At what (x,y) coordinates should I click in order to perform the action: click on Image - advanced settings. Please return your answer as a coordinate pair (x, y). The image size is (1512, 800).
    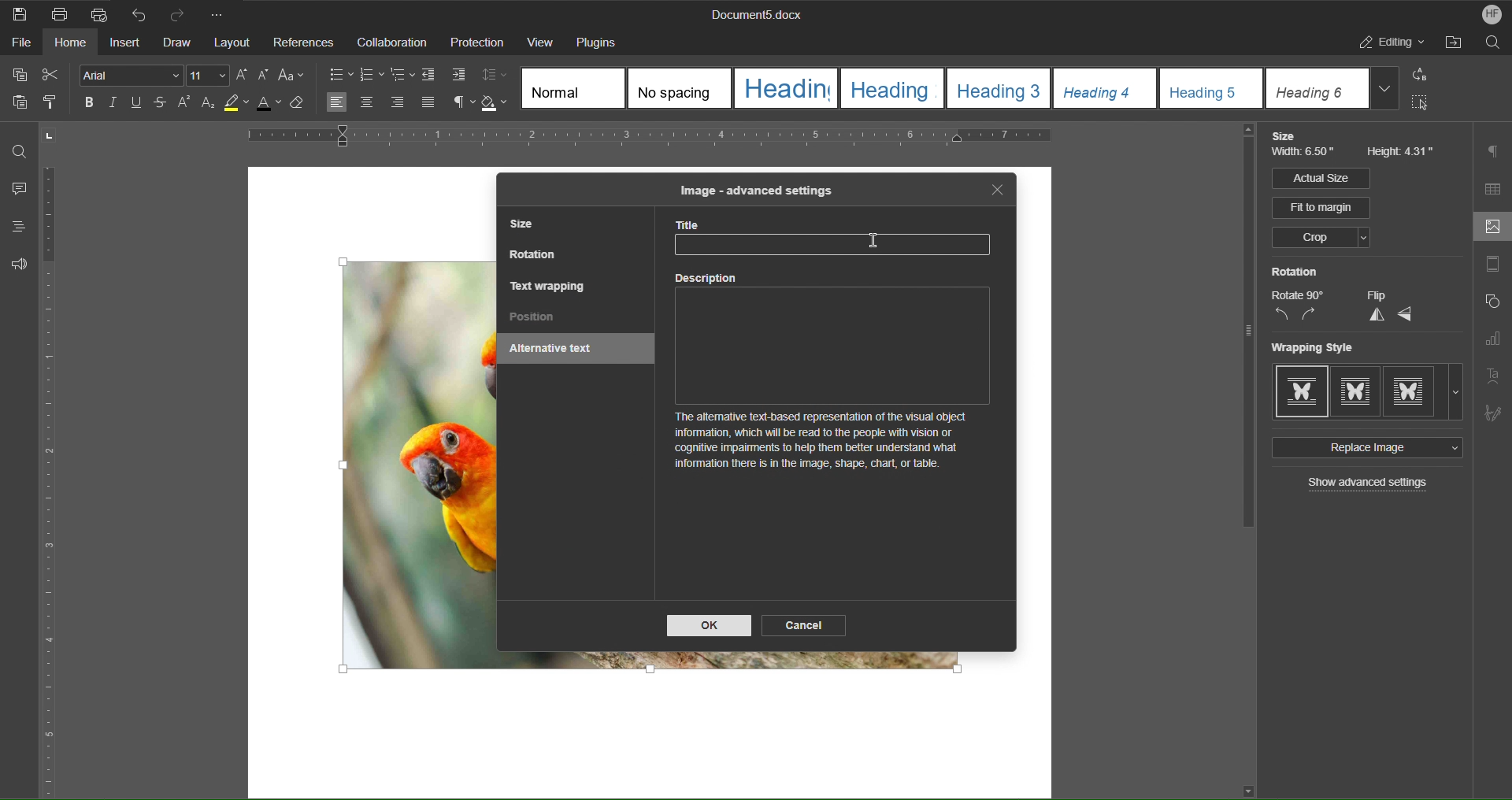
    Looking at the image, I should click on (754, 190).